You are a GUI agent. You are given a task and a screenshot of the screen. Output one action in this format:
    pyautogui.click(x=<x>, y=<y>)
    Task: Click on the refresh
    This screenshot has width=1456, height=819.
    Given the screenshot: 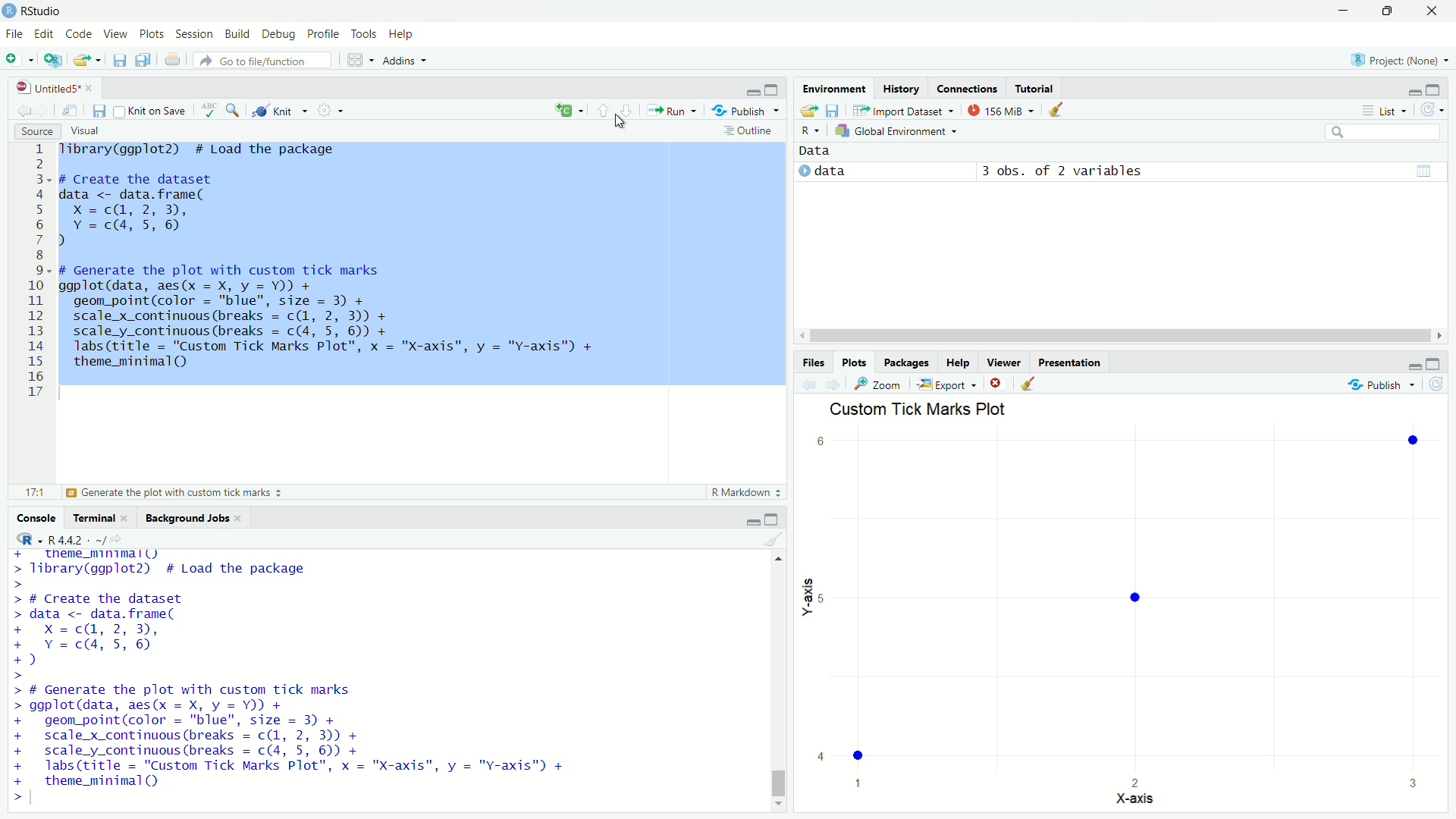 What is the action you would take?
    pyautogui.click(x=1438, y=386)
    